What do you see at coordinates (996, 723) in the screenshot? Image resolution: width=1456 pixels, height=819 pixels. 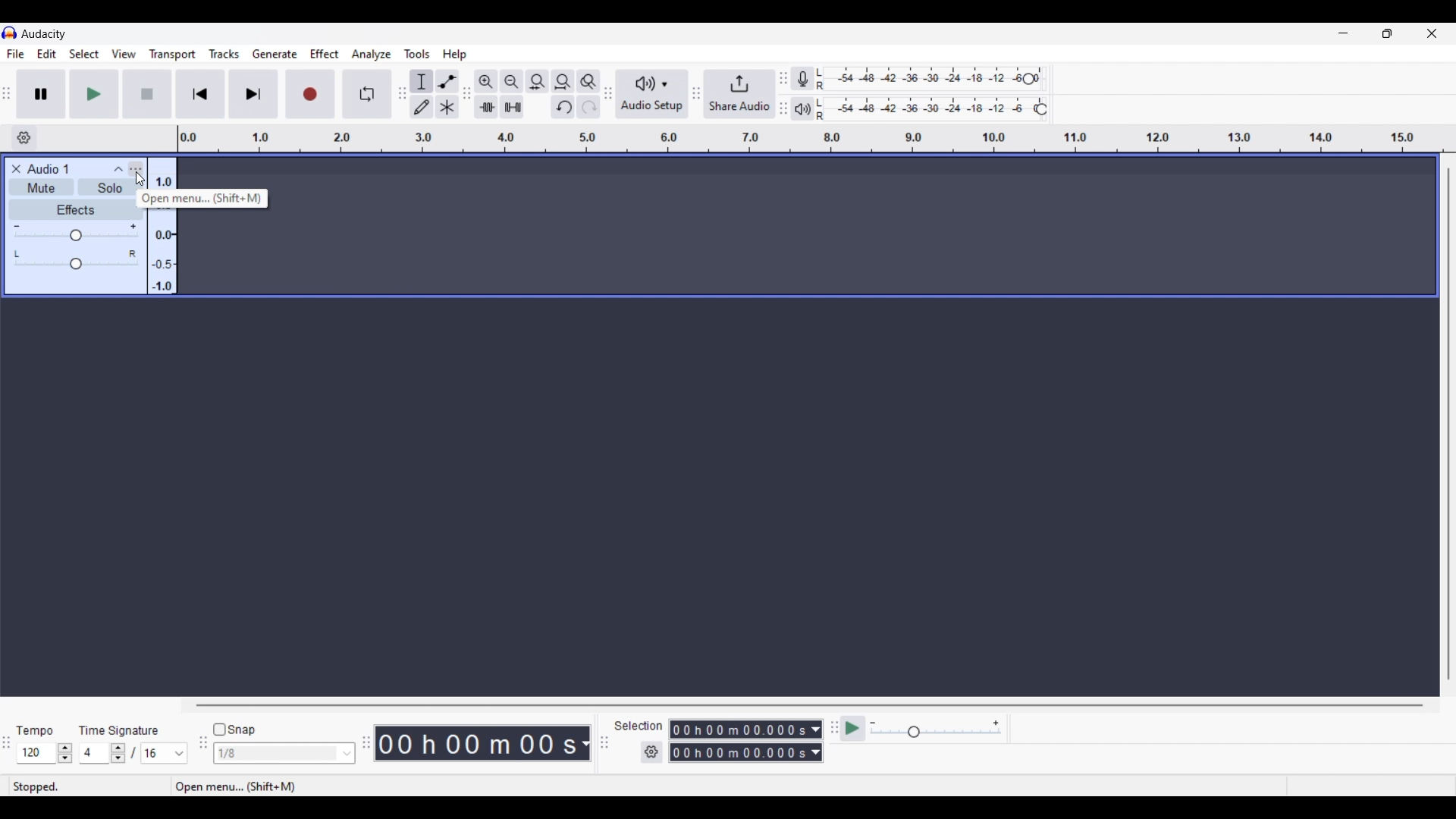 I see `Increase playback speed to maximum ` at bounding box center [996, 723].